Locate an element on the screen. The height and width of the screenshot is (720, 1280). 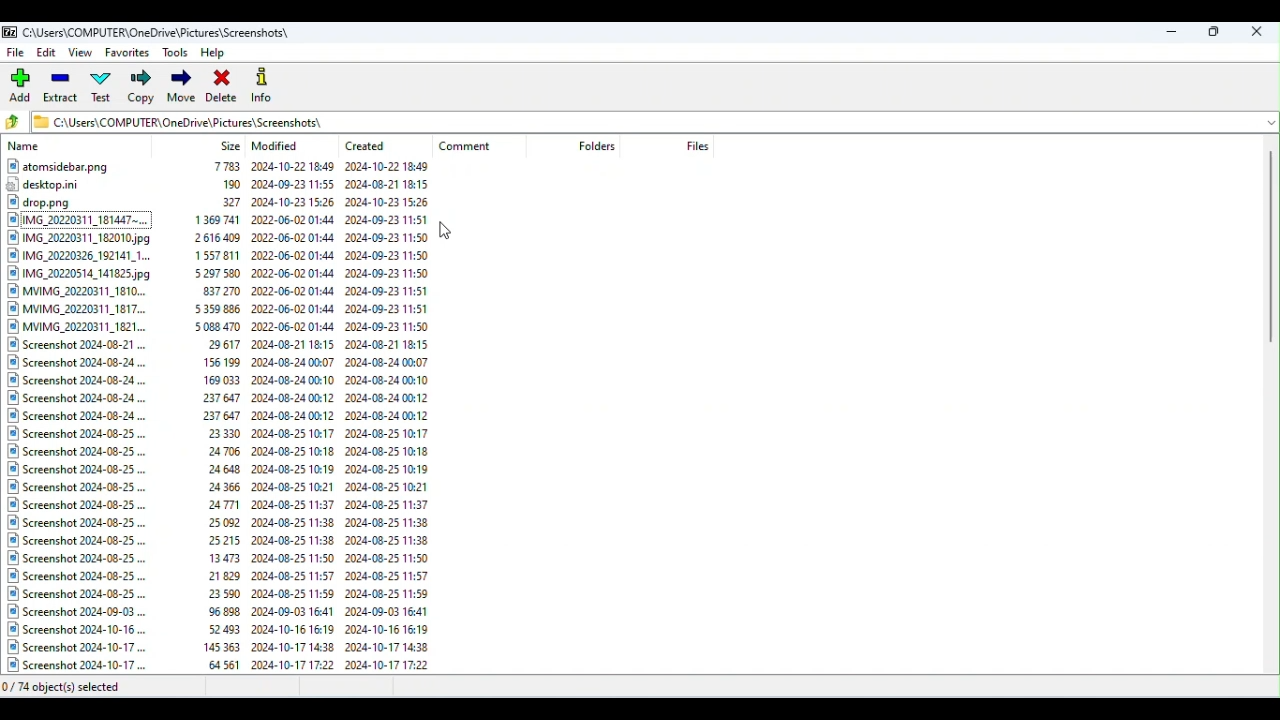
Edit is located at coordinates (48, 55).